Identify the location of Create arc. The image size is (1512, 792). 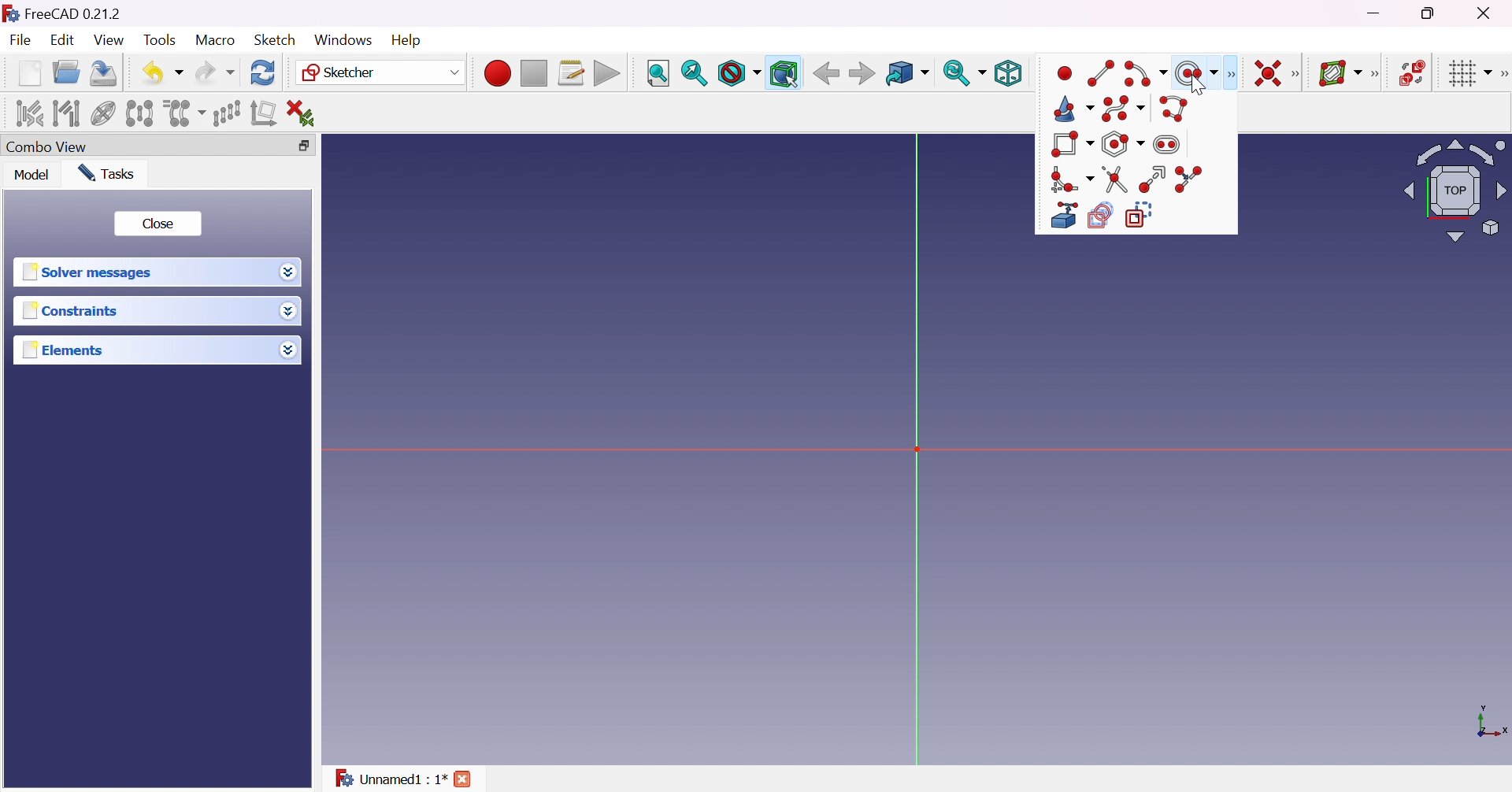
(1147, 73).